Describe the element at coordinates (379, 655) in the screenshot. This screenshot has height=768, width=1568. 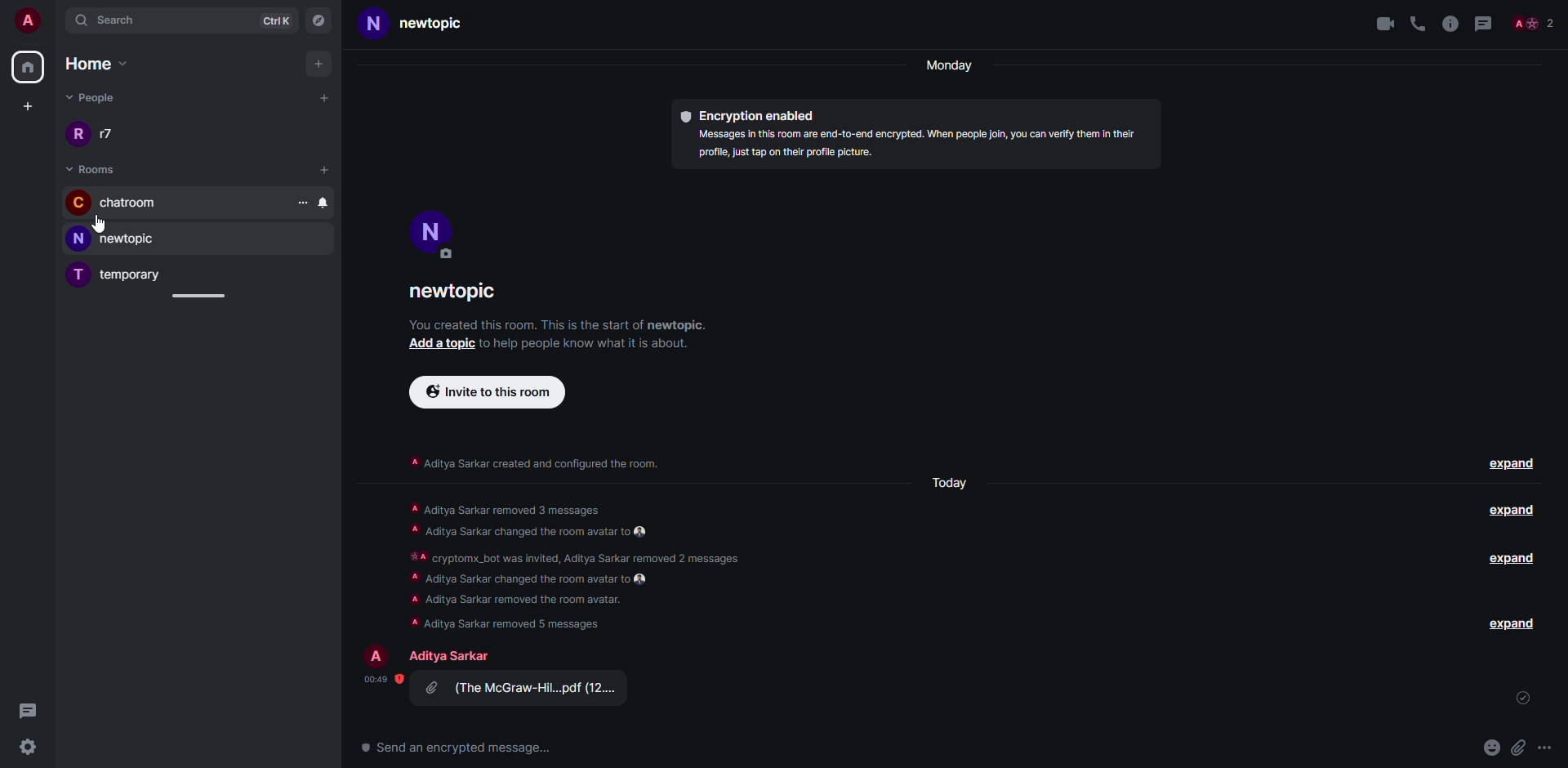
I see `profile` at that location.